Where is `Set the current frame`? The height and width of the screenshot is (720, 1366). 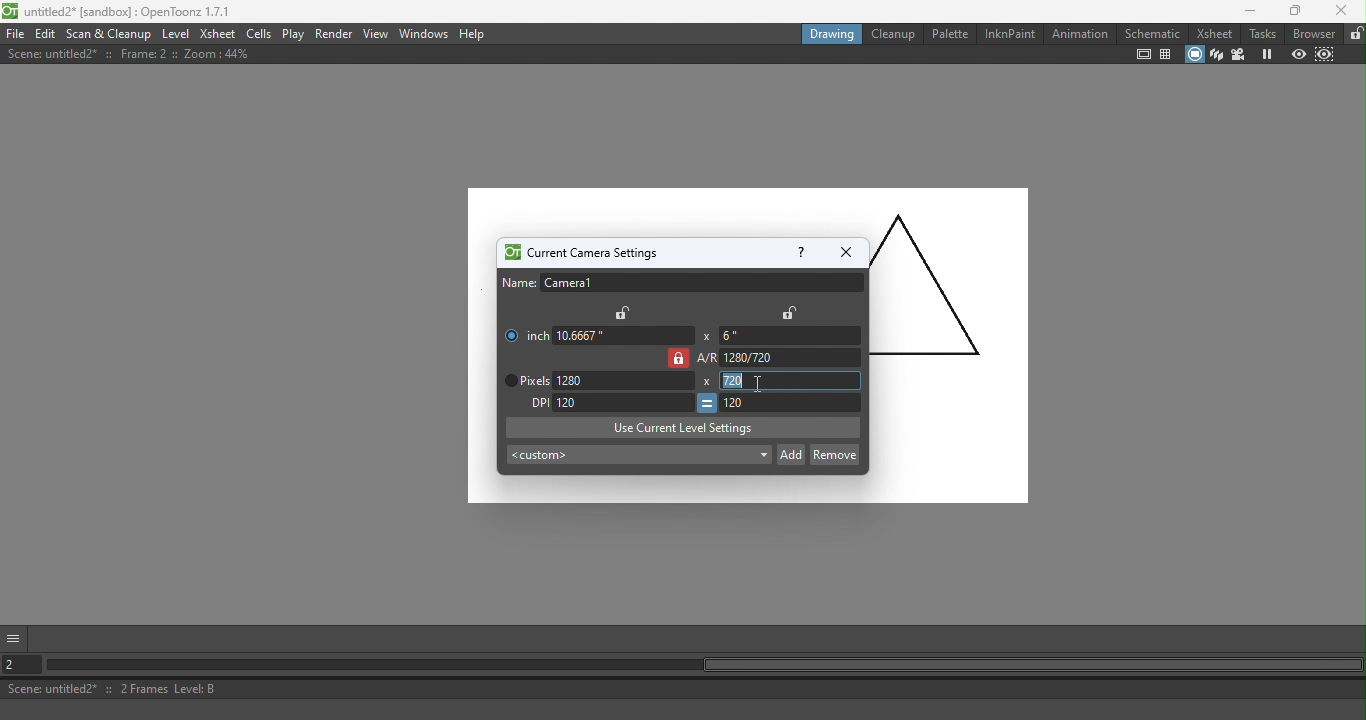
Set the current frame is located at coordinates (23, 663).